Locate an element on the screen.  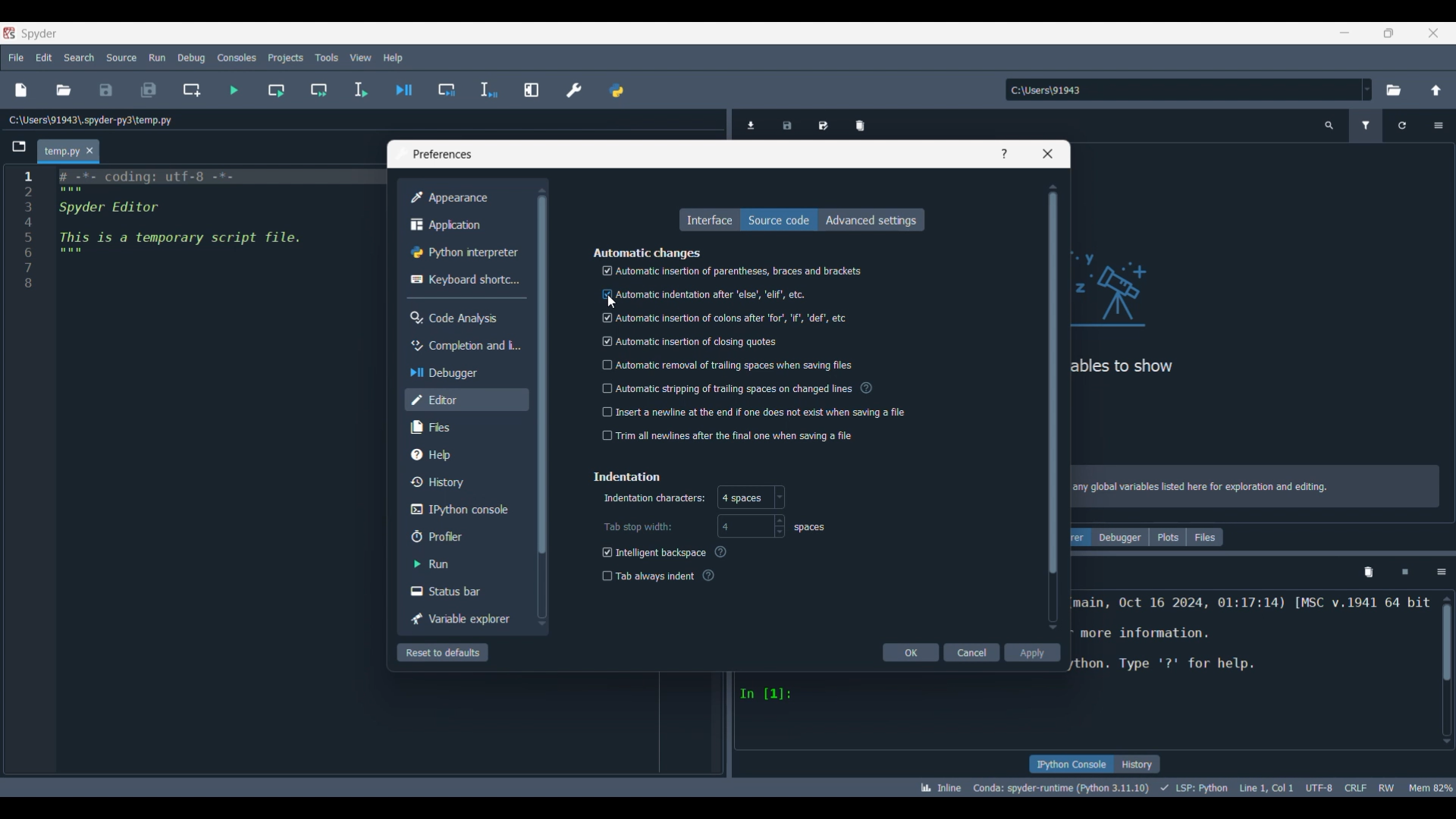
Help menu is located at coordinates (393, 58).